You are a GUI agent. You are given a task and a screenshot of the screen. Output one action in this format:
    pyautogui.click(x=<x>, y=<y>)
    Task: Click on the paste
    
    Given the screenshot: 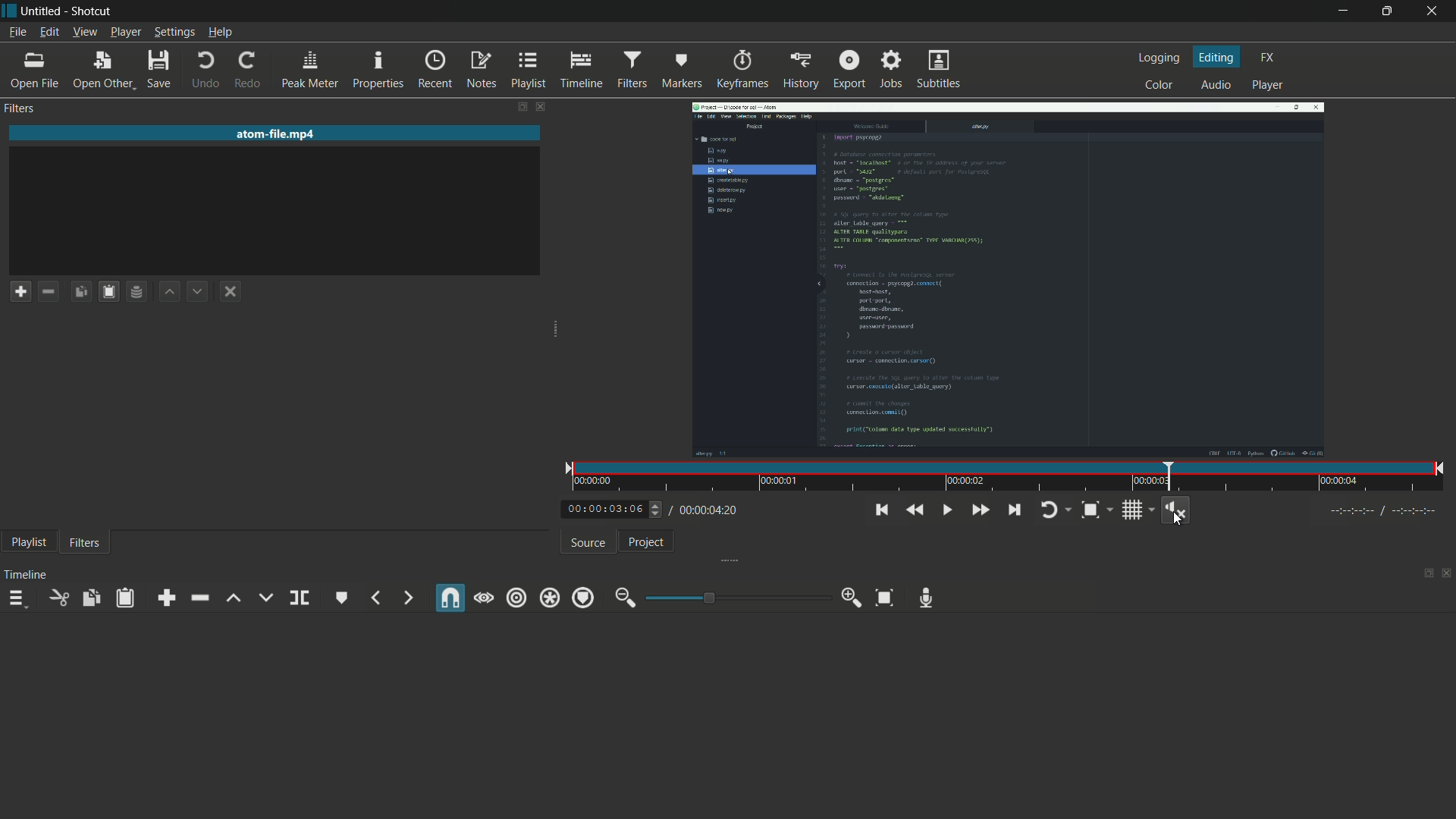 What is the action you would take?
    pyautogui.click(x=124, y=598)
    